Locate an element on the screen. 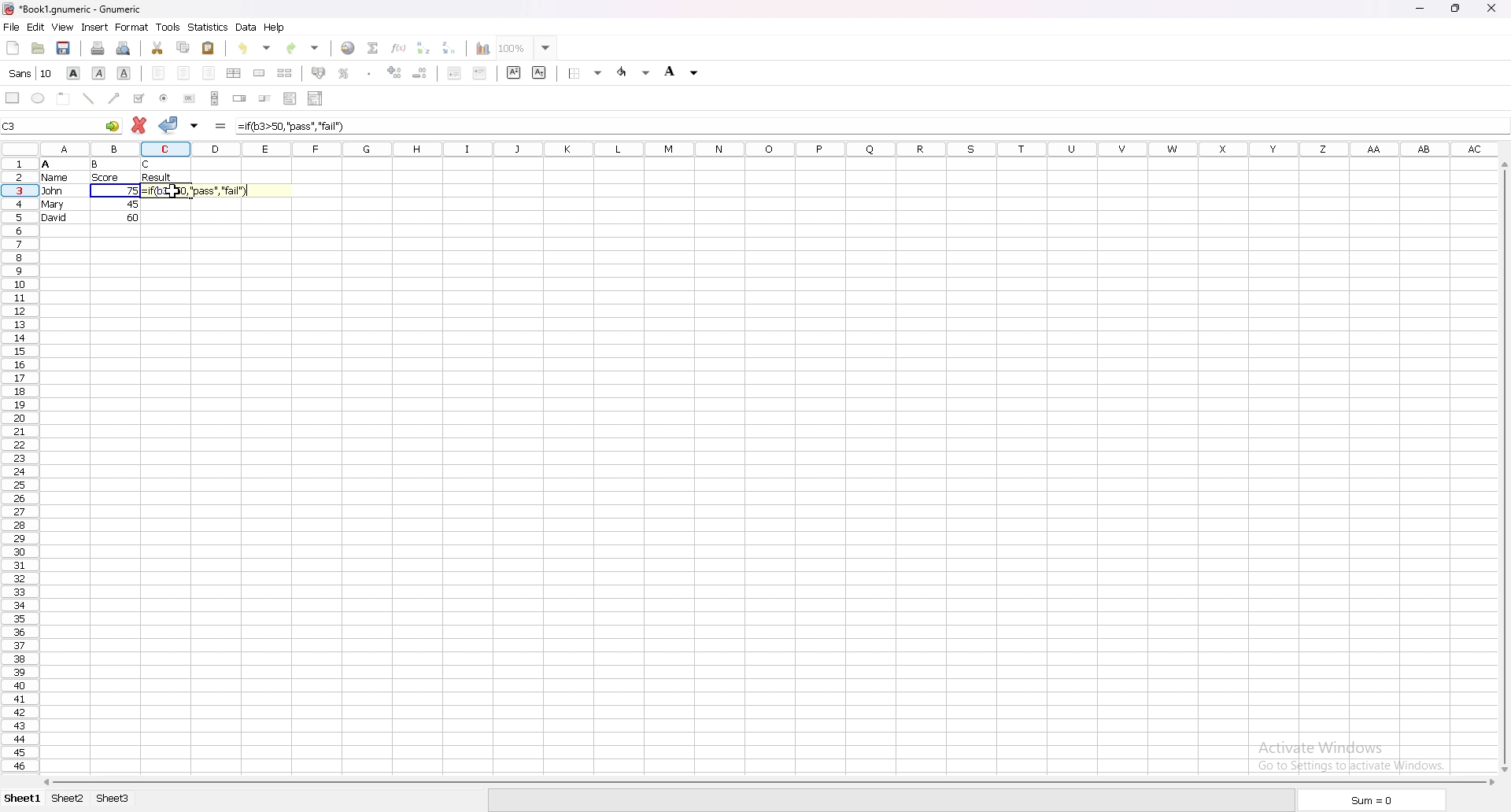  45 is located at coordinates (132, 204).